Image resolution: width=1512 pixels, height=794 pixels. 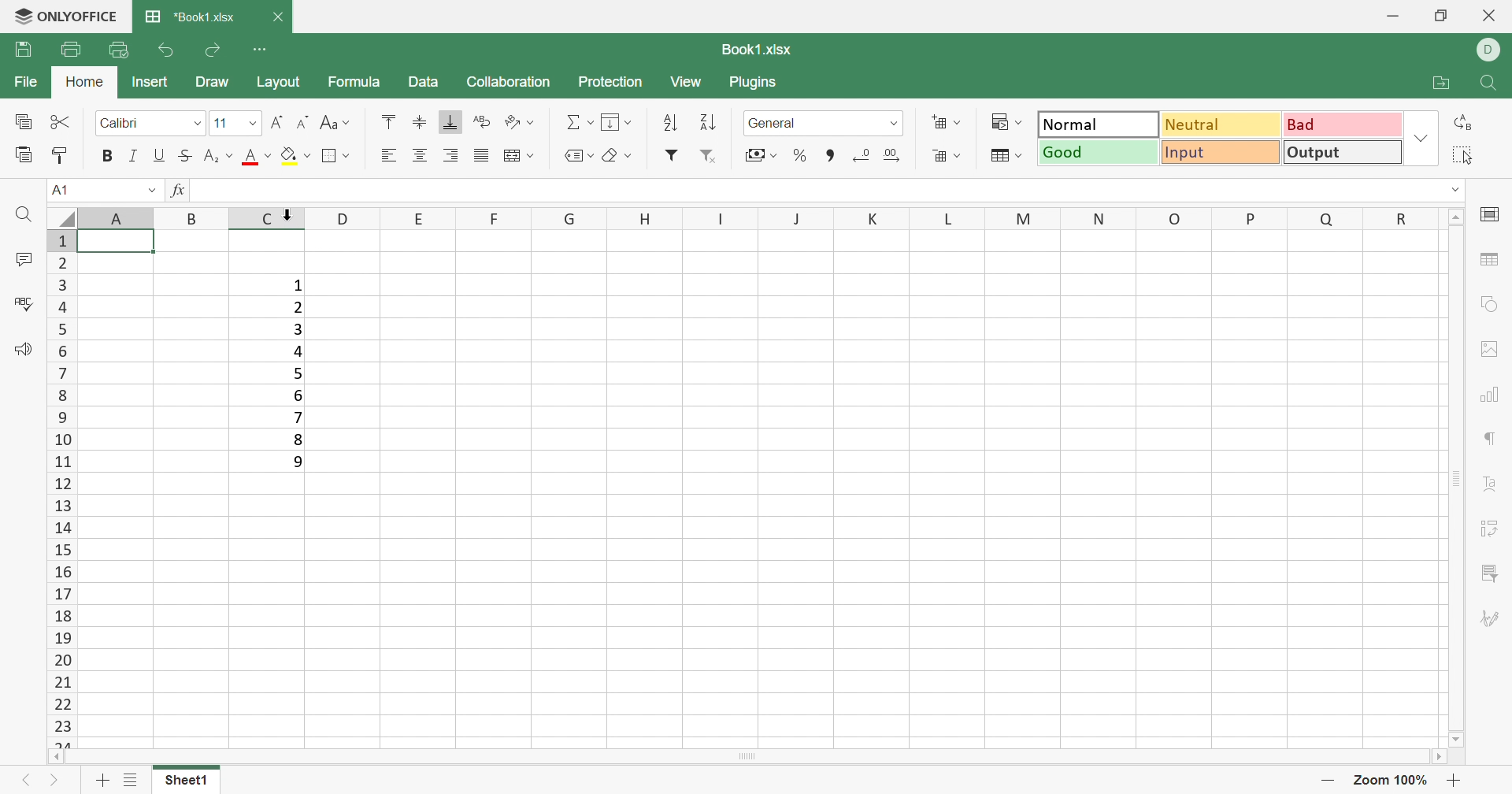 What do you see at coordinates (24, 157) in the screenshot?
I see `Paste` at bounding box center [24, 157].